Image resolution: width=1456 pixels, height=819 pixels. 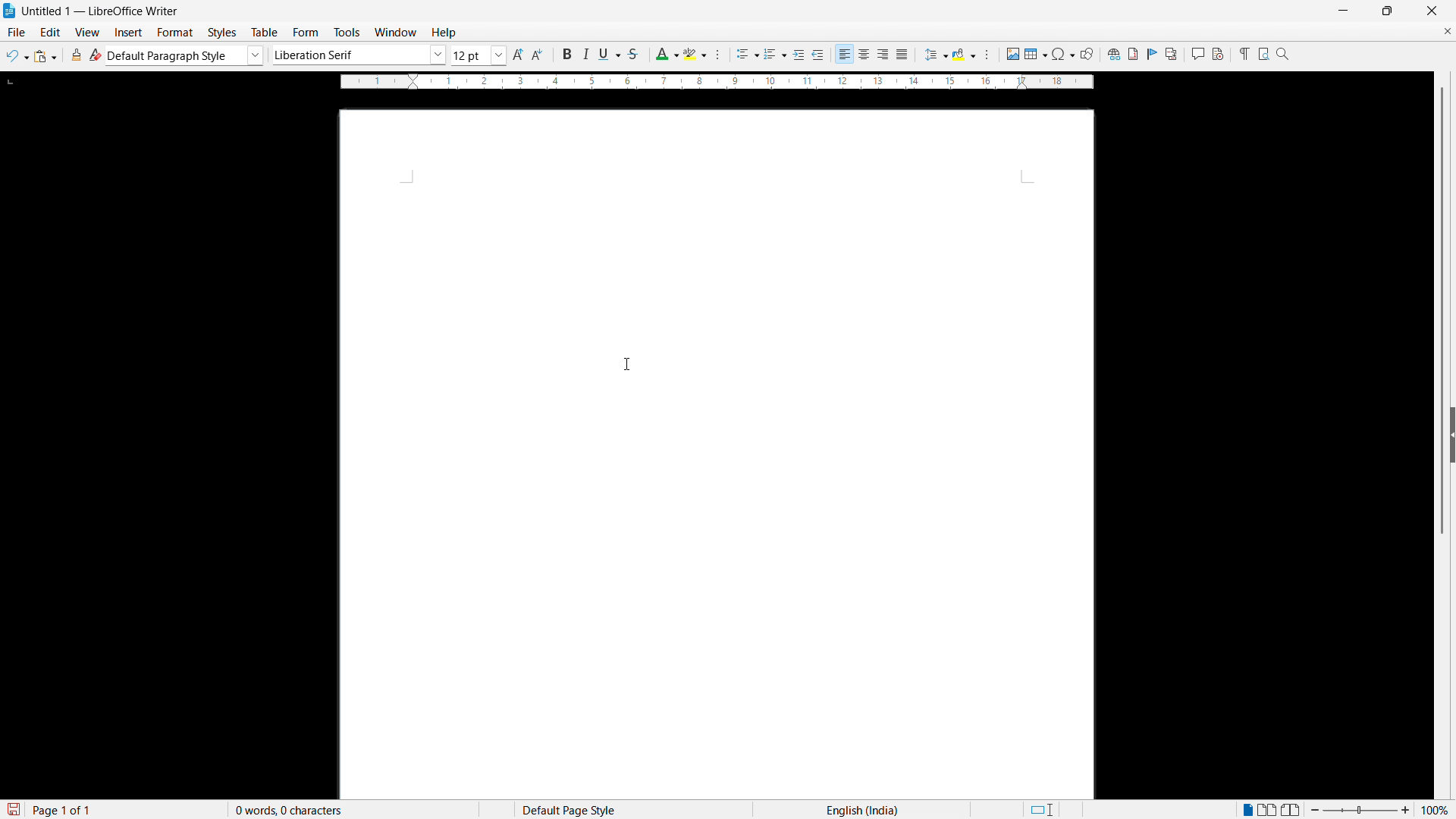 I want to click on form , so click(x=306, y=33).